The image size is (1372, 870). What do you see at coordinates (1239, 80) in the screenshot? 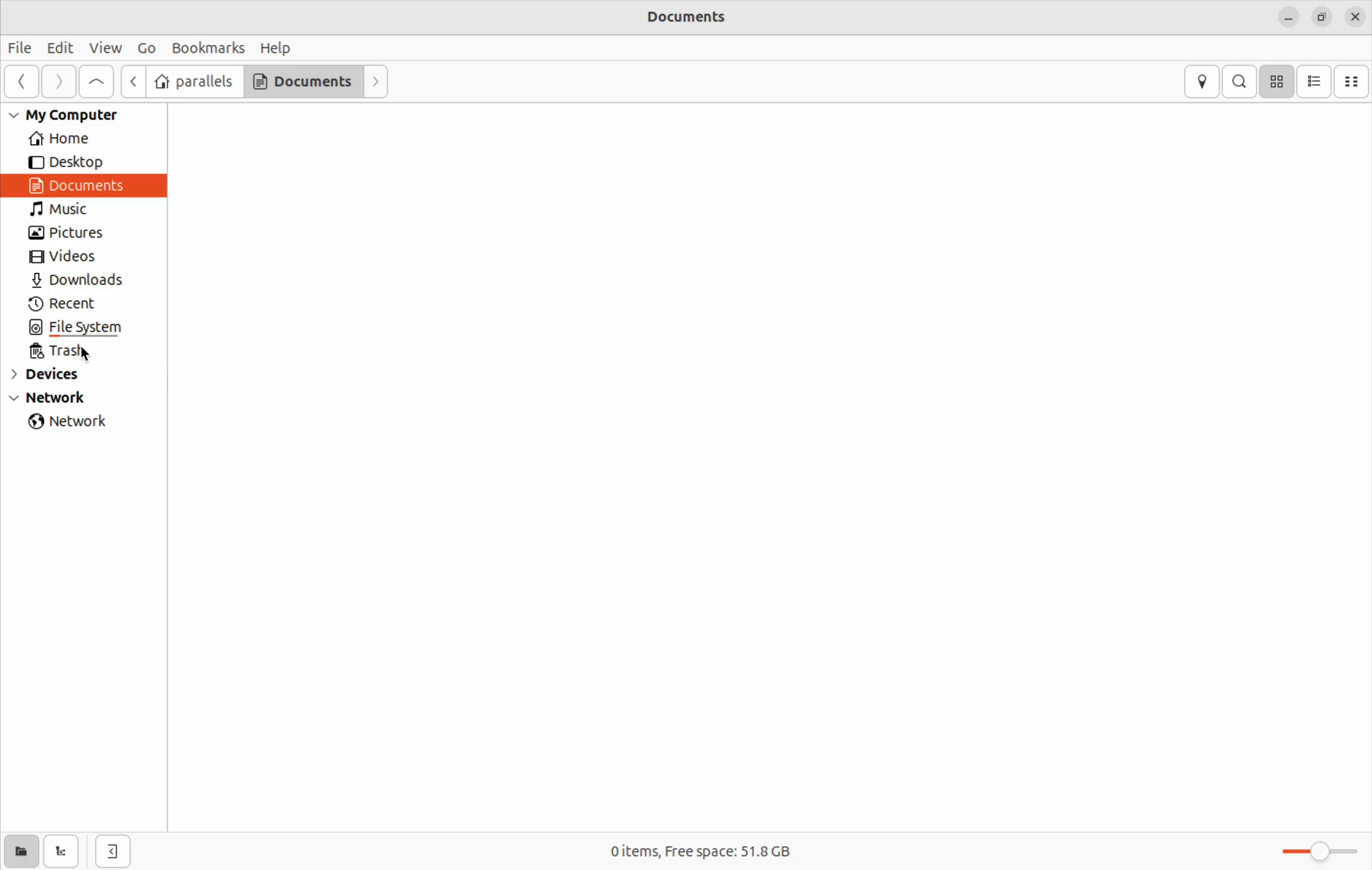
I see `search` at bounding box center [1239, 80].